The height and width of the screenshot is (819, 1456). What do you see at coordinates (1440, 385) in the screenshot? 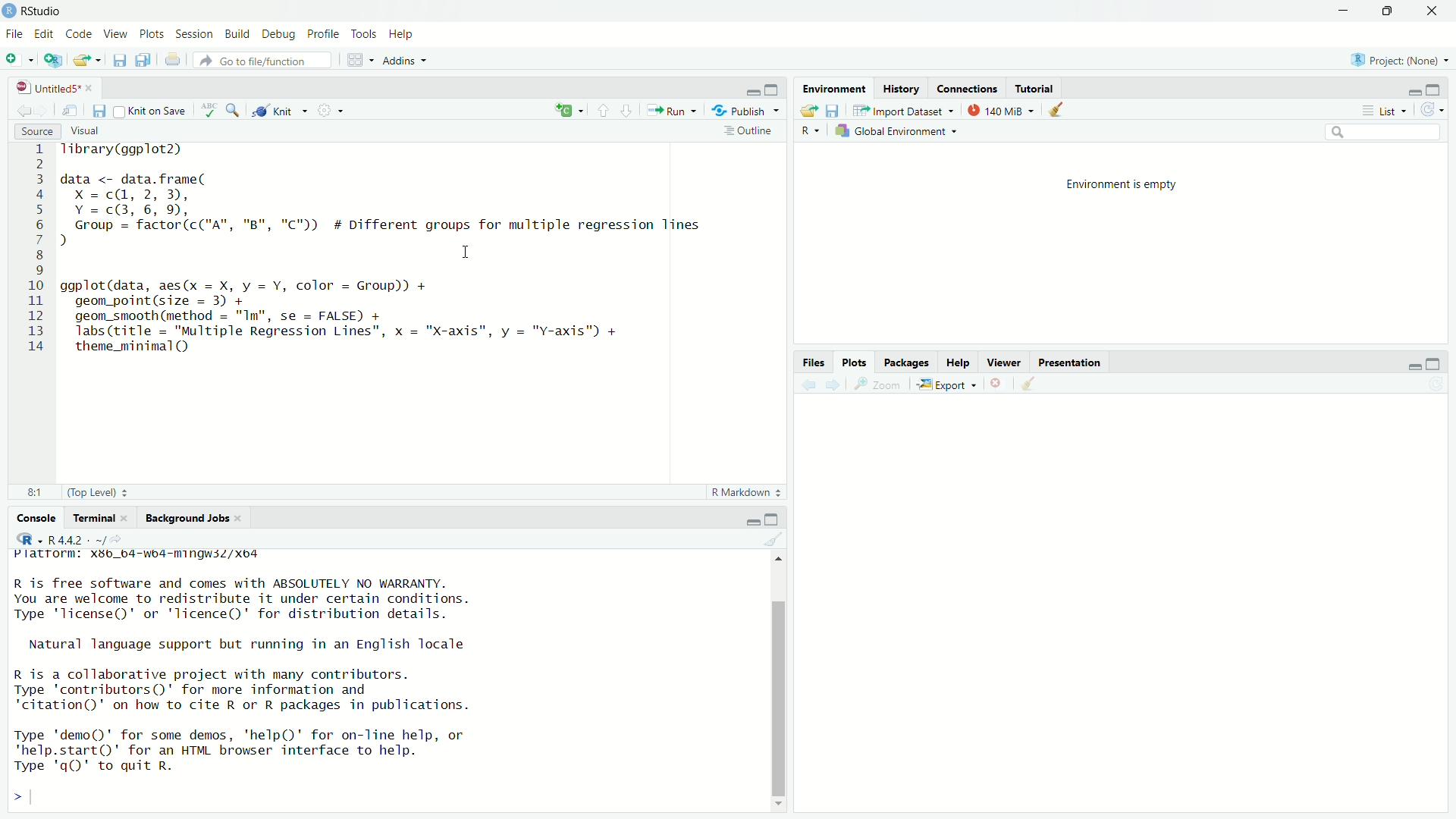
I see `refresh` at bounding box center [1440, 385].